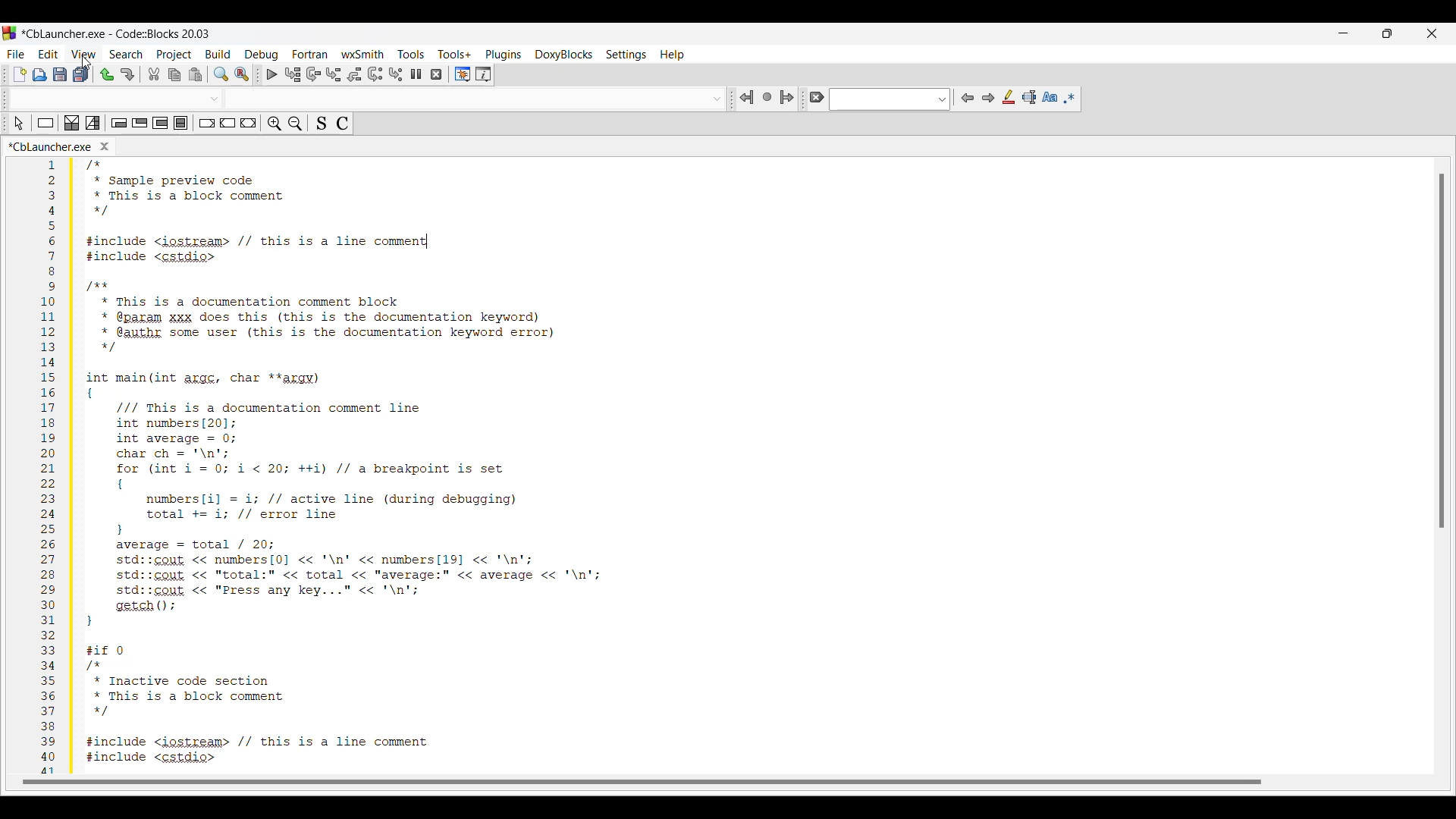 The height and width of the screenshot is (819, 1456). What do you see at coordinates (40, 74) in the screenshot?
I see `Open` at bounding box center [40, 74].